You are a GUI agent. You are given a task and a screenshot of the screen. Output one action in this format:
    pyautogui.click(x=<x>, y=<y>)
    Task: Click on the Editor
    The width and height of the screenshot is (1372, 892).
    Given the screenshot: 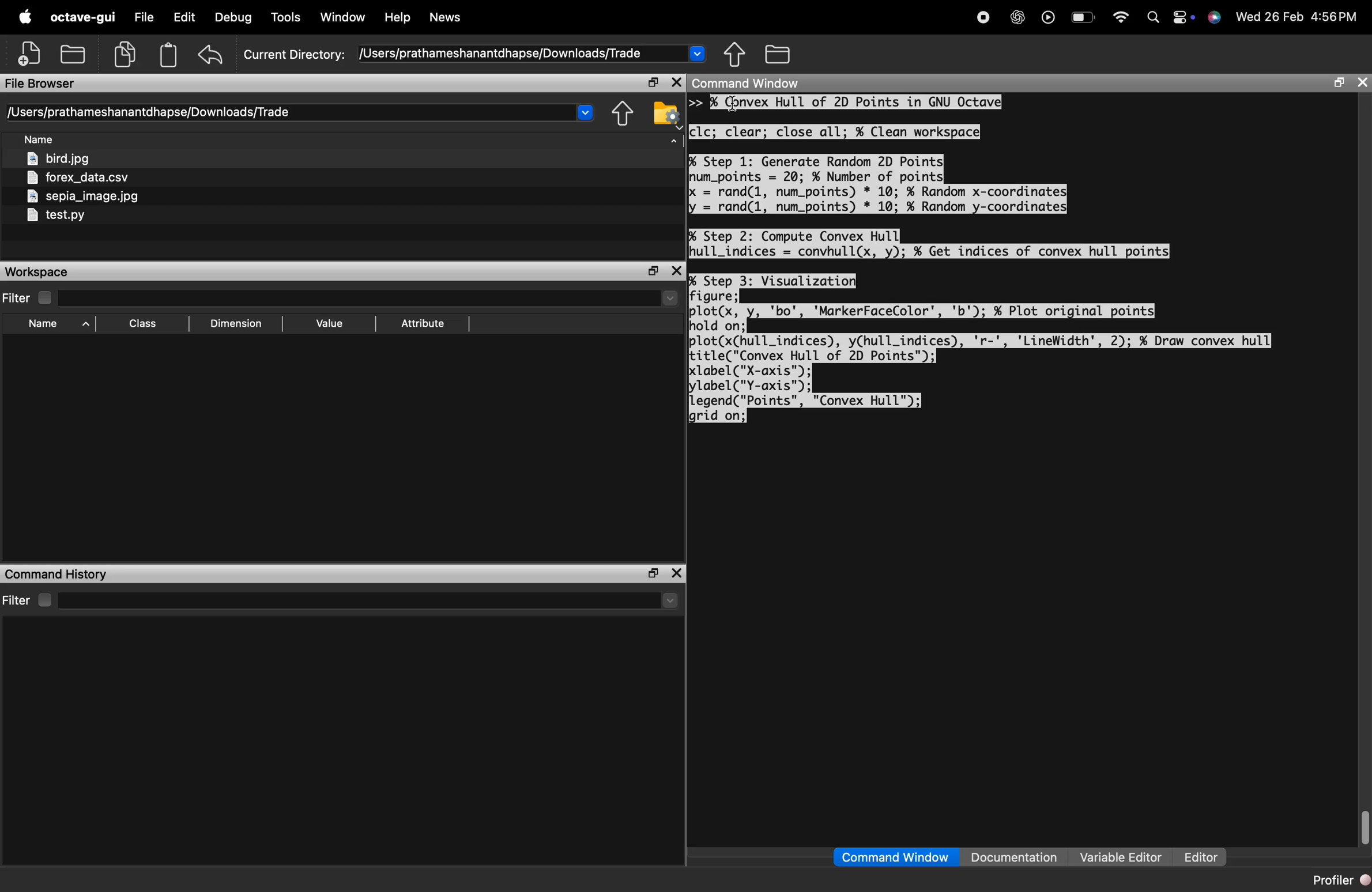 What is the action you would take?
    pyautogui.click(x=1201, y=857)
    